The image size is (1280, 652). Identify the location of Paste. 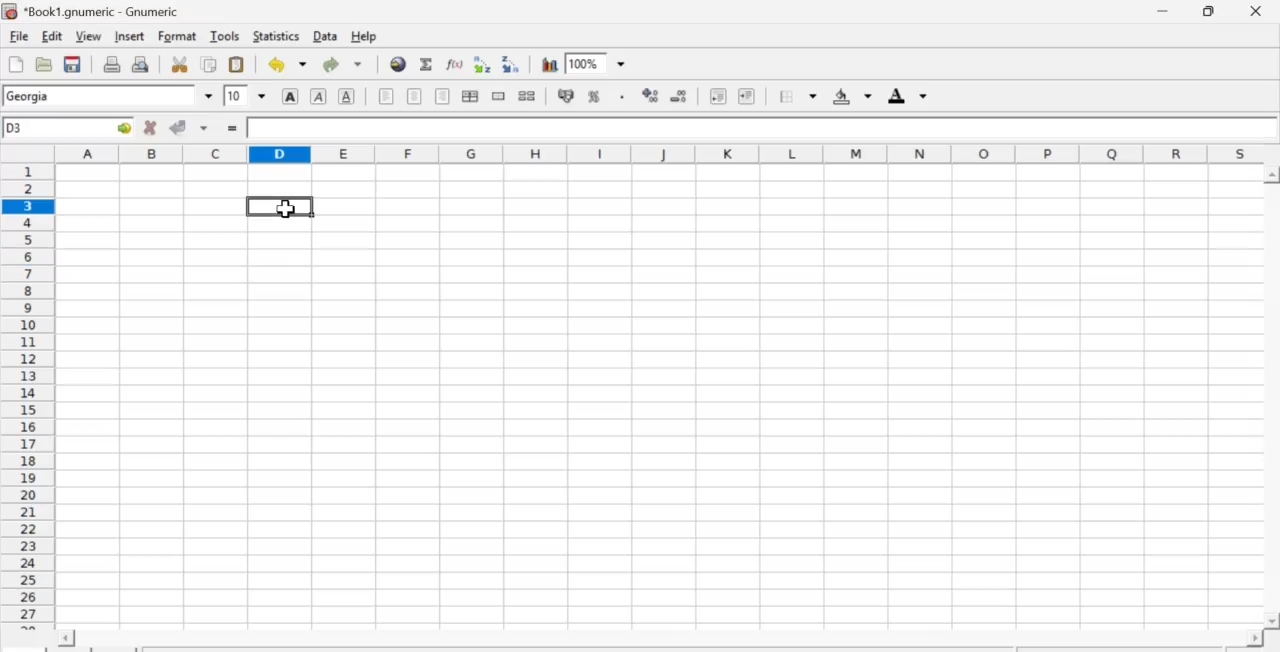
(237, 66).